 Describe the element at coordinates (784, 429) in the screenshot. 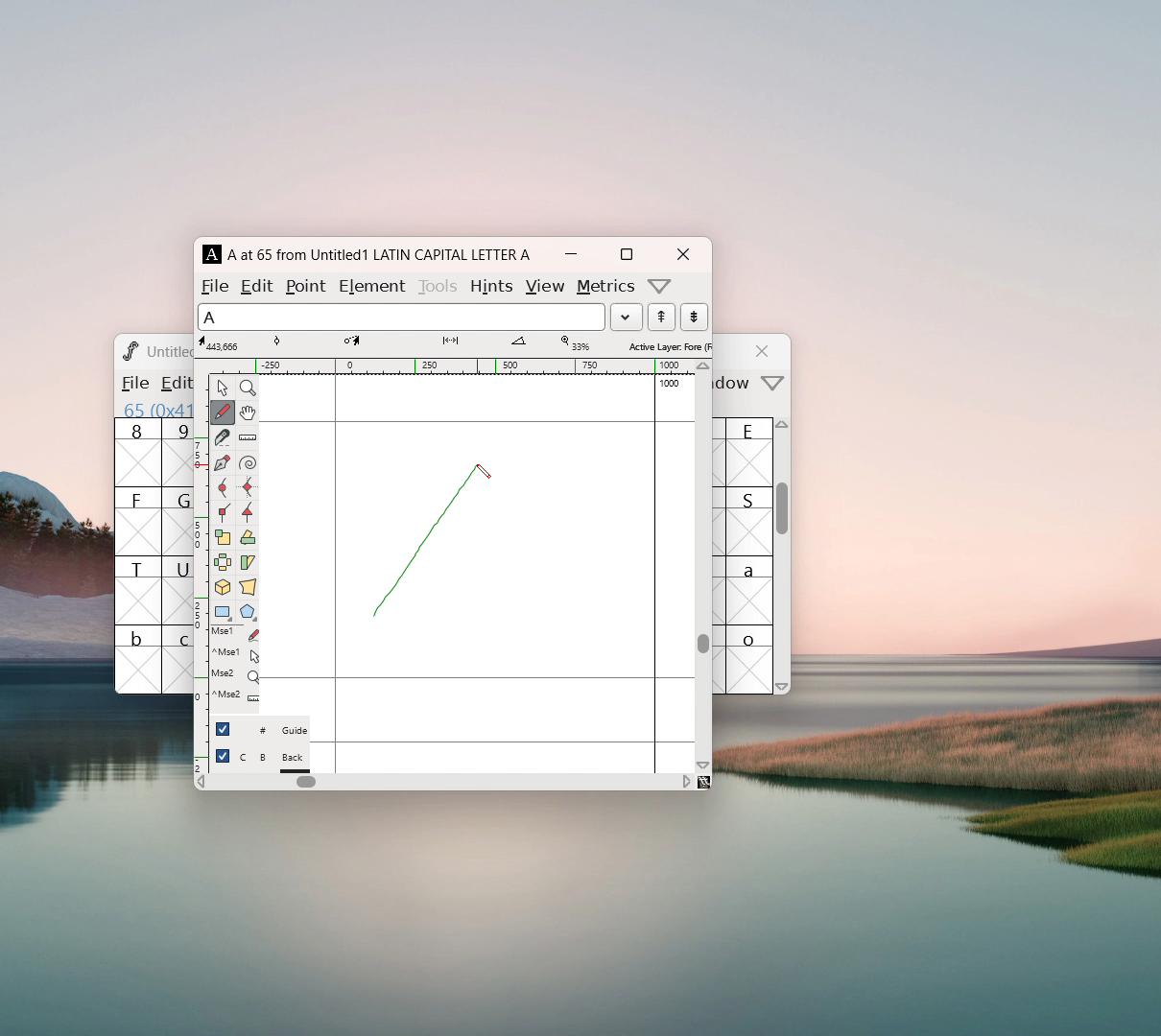

I see `scroll up` at that location.